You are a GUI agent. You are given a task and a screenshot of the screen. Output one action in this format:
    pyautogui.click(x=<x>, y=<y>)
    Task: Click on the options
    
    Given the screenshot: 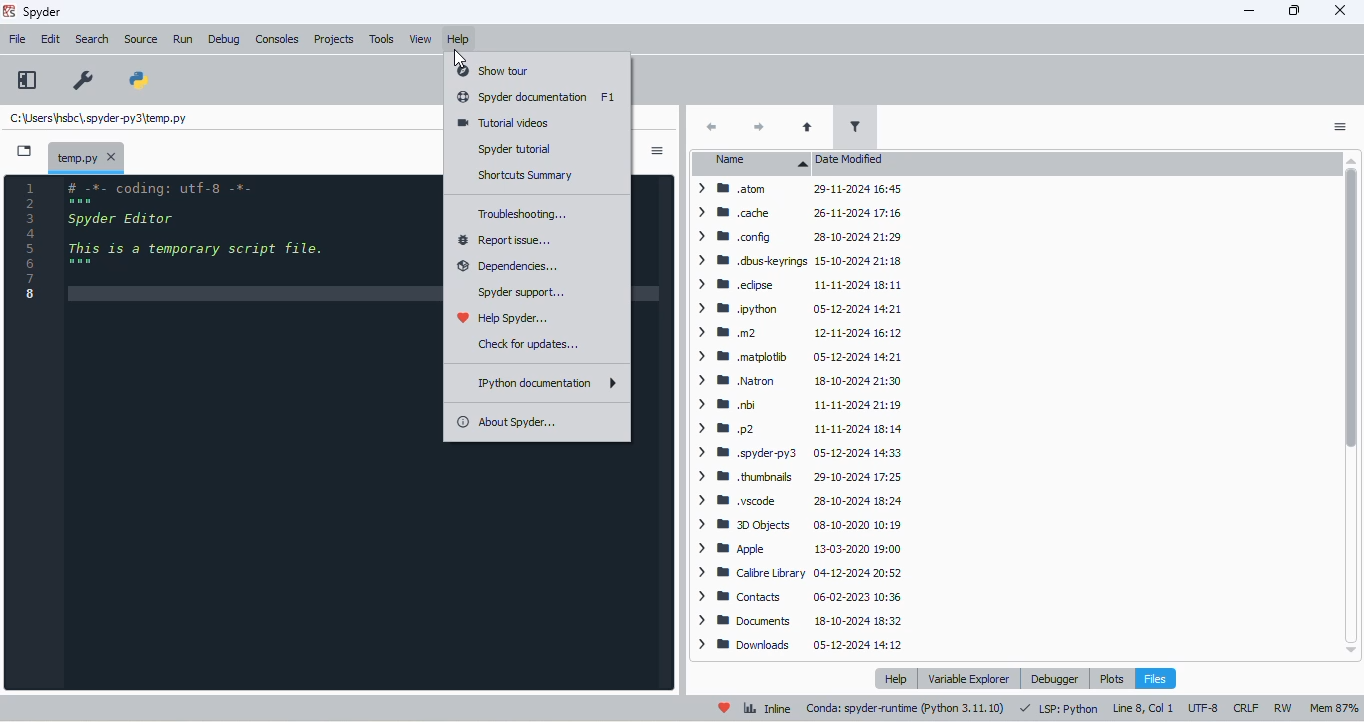 What is the action you would take?
    pyautogui.click(x=657, y=151)
    